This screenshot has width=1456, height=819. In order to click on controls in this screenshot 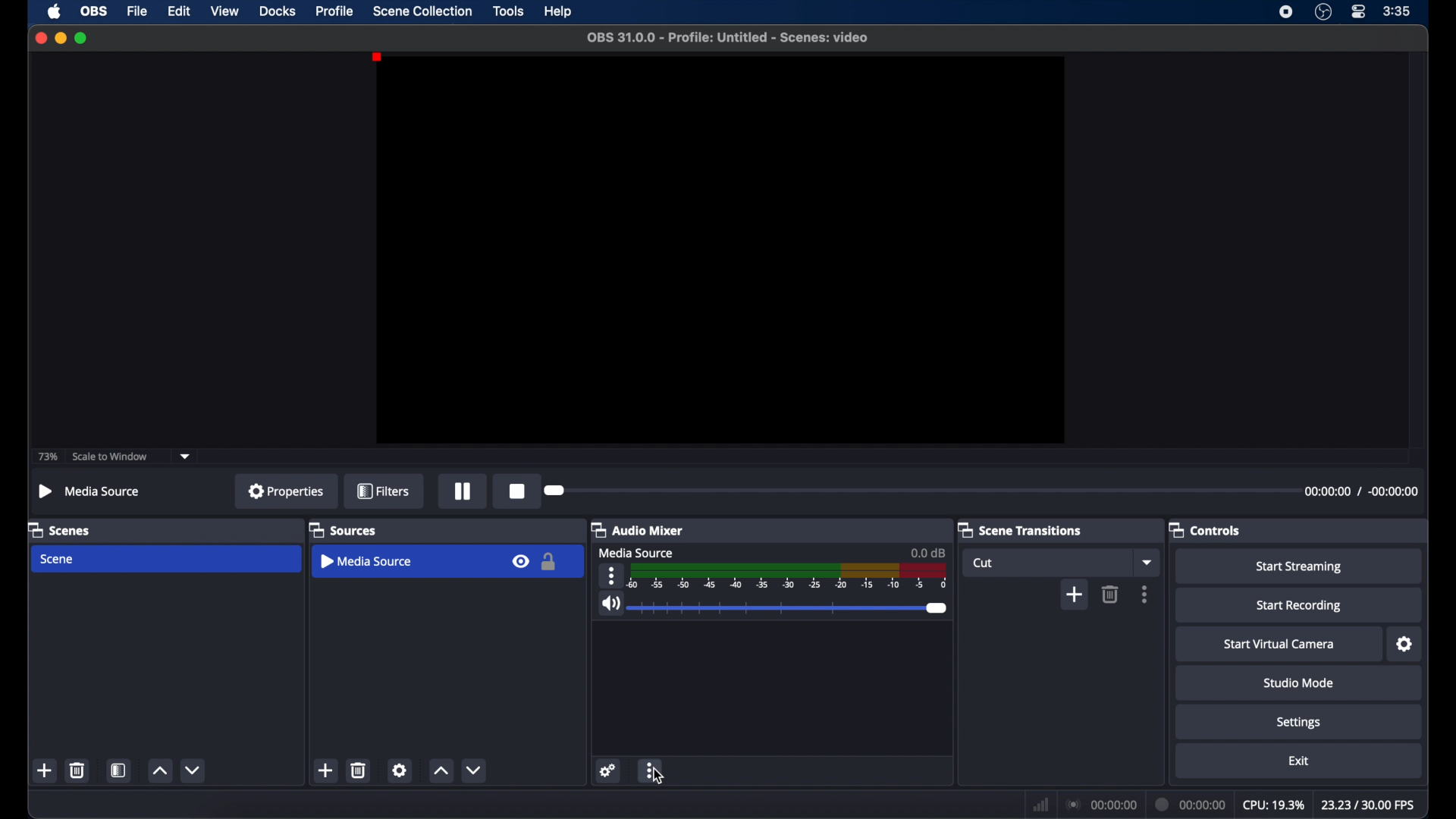, I will do `click(1205, 529)`.